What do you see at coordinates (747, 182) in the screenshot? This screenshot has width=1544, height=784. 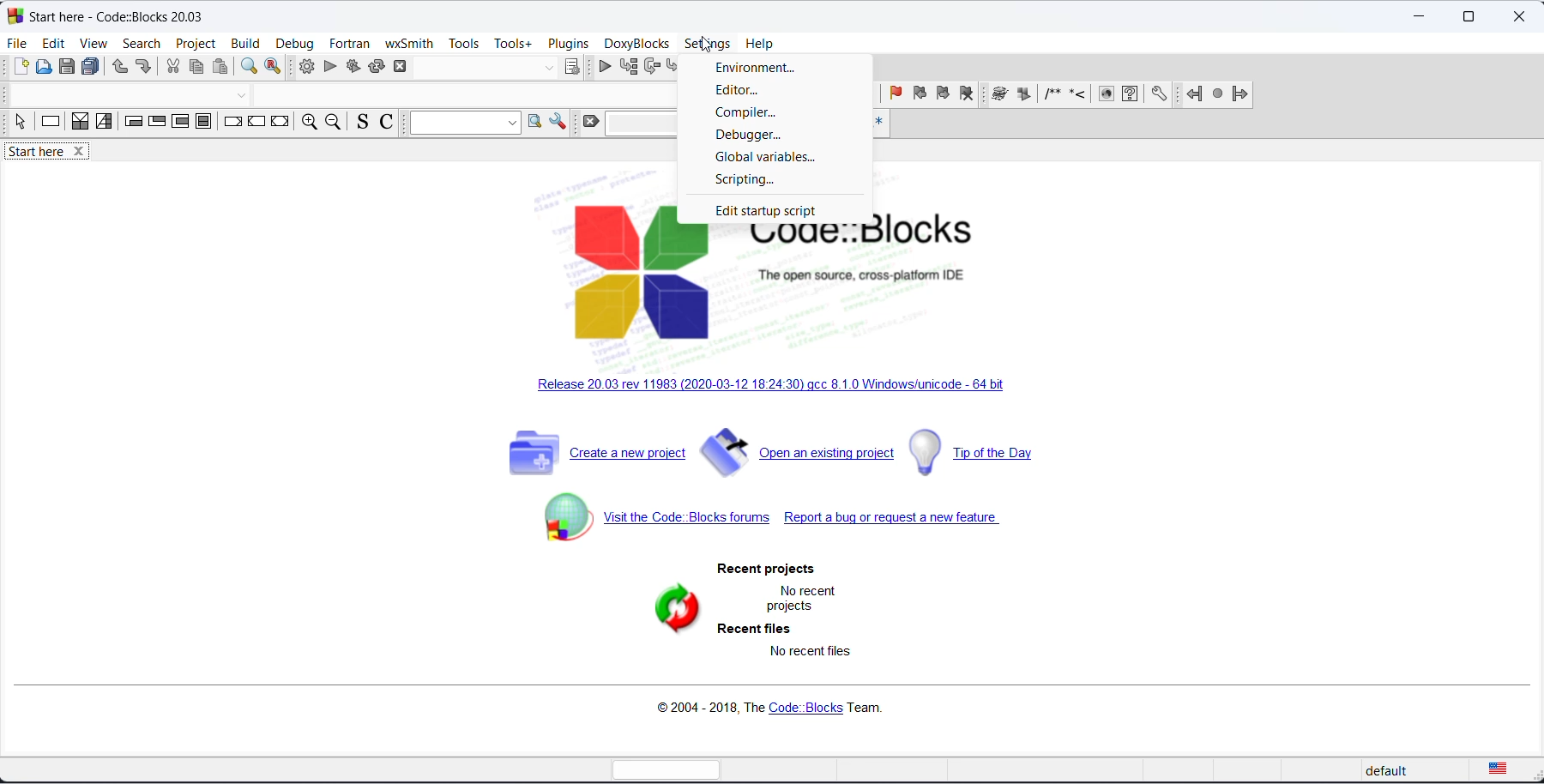 I see `Scripting...` at bounding box center [747, 182].